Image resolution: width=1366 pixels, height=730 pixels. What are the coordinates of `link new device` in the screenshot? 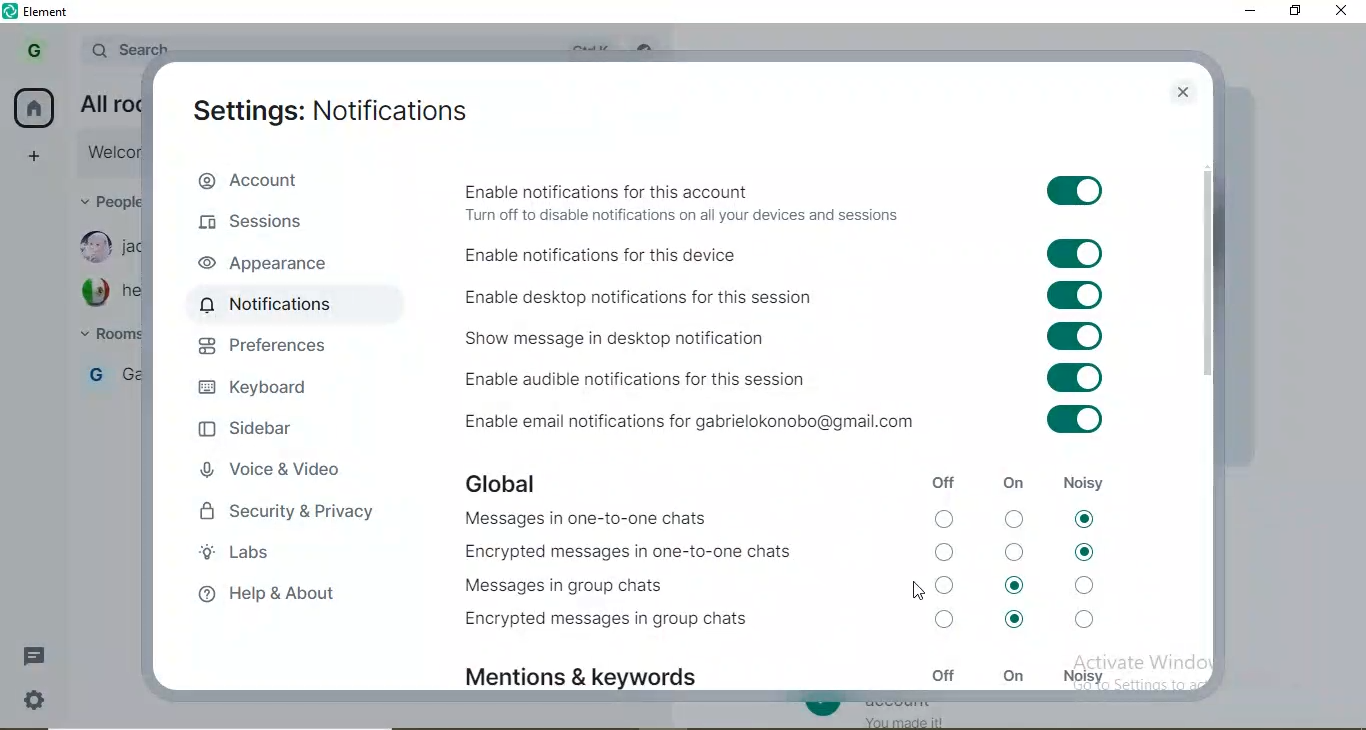 It's located at (107, 154).